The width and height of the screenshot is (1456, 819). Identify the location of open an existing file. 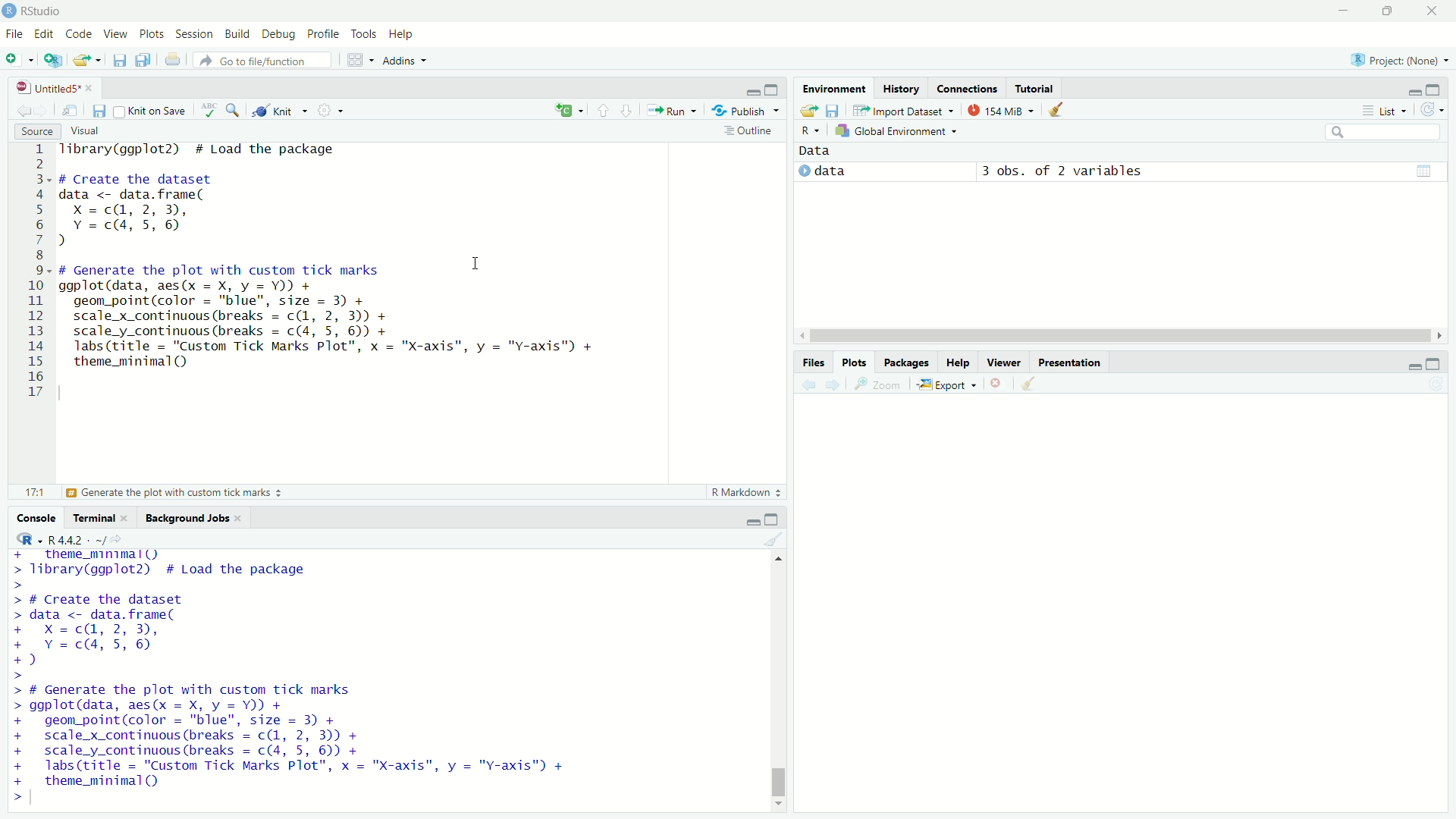
(89, 59).